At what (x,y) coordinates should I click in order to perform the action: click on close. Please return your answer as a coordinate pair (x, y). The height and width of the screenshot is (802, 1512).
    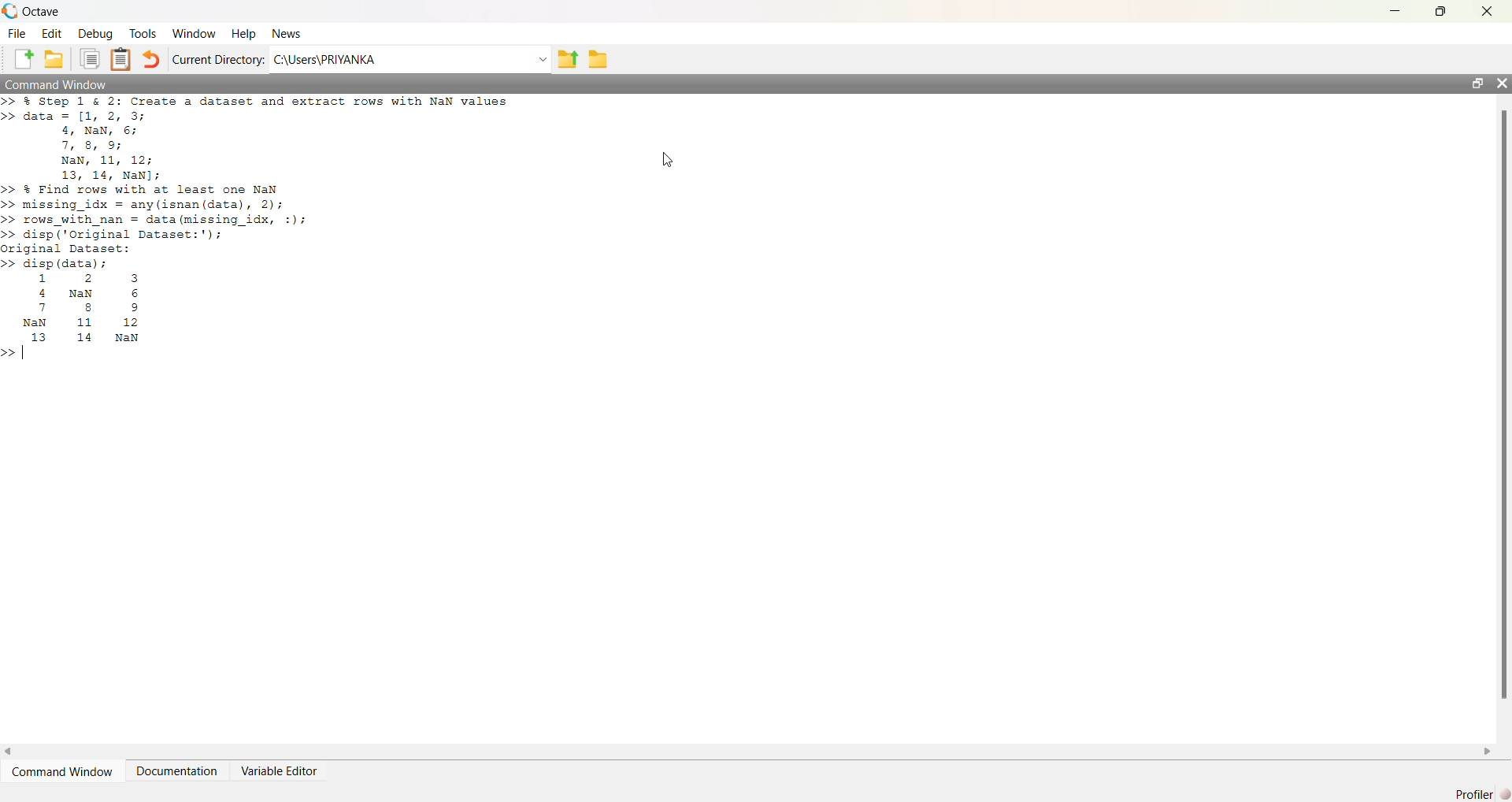
    Looking at the image, I should click on (1488, 12).